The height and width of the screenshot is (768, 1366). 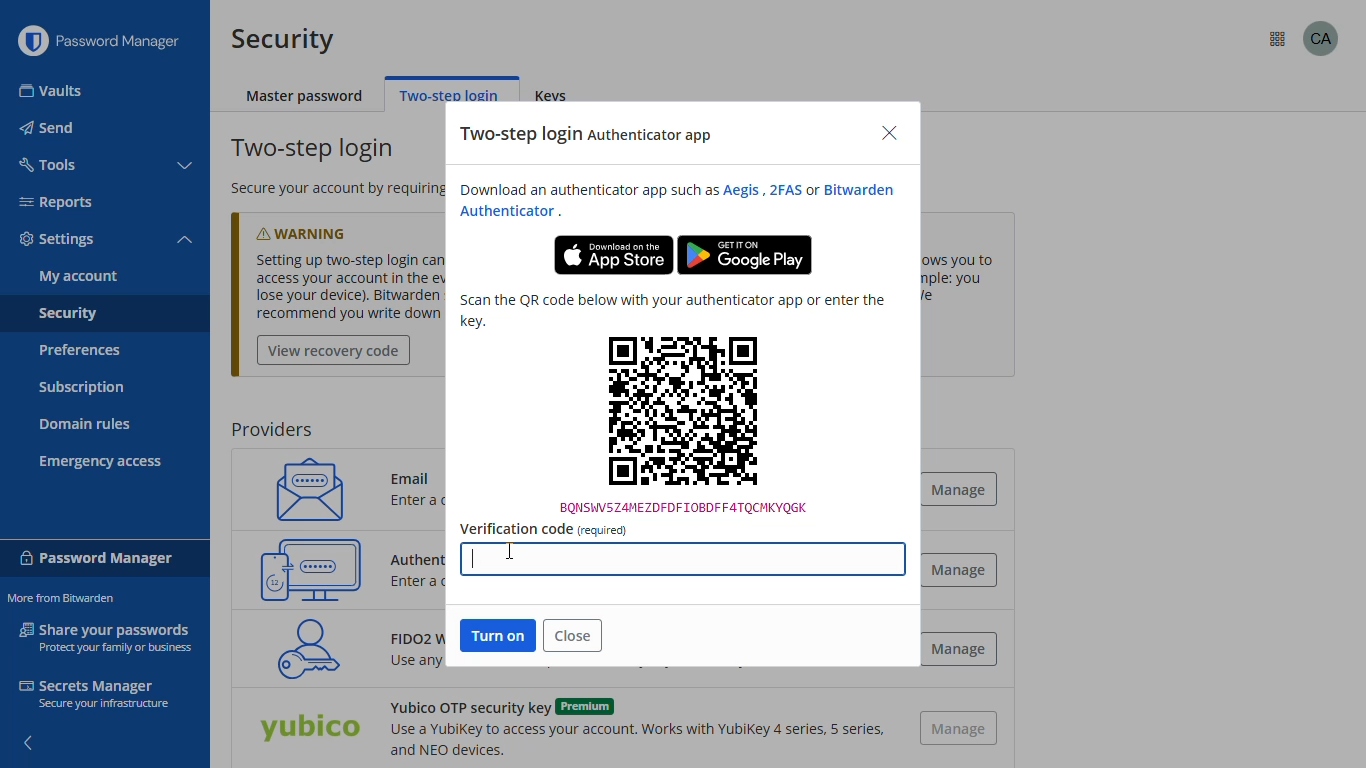 What do you see at coordinates (126, 41) in the screenshot?
I see `password manager` at bounding box center [126, 41].